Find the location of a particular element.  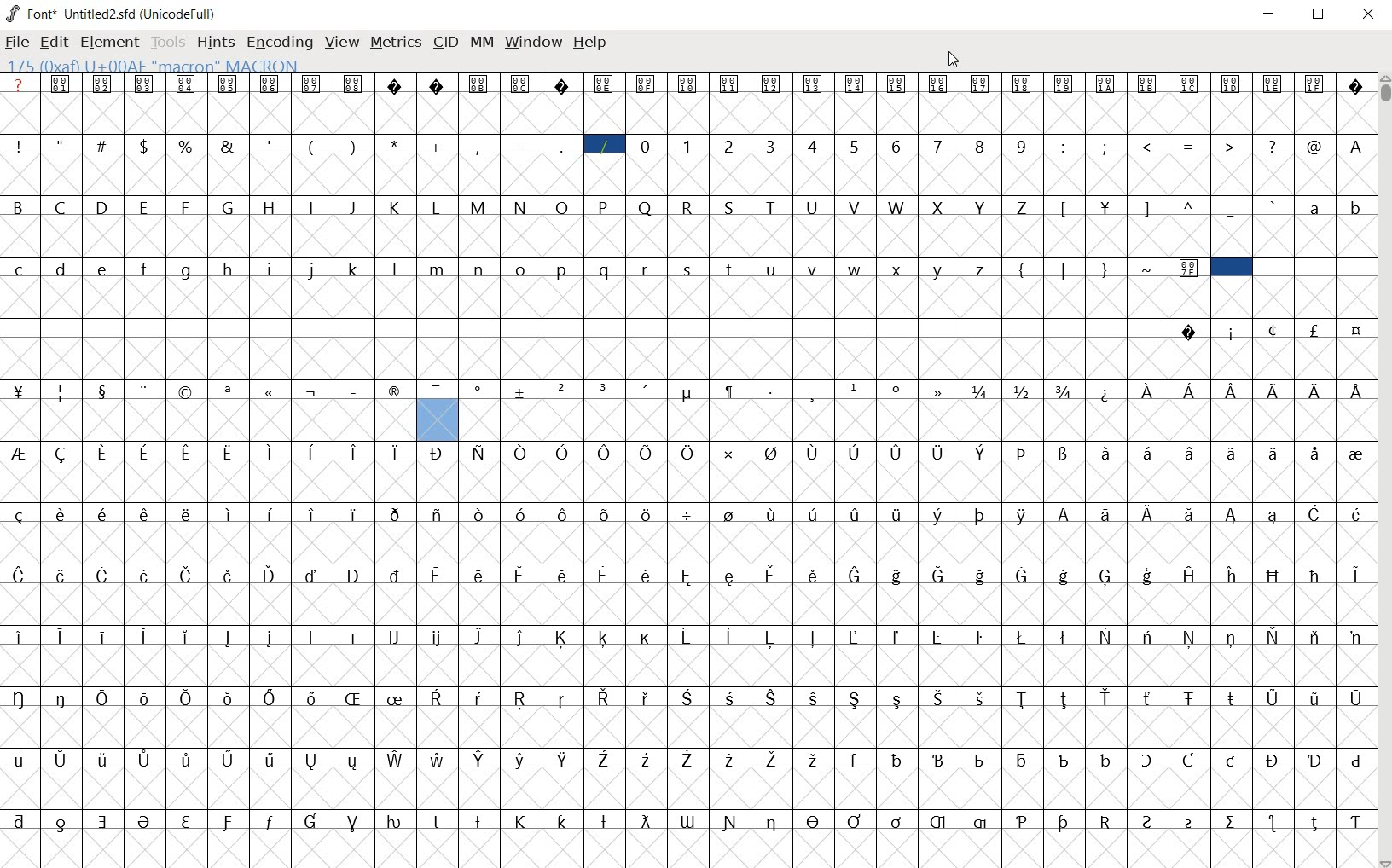

* is located at coordinates (396, 144).